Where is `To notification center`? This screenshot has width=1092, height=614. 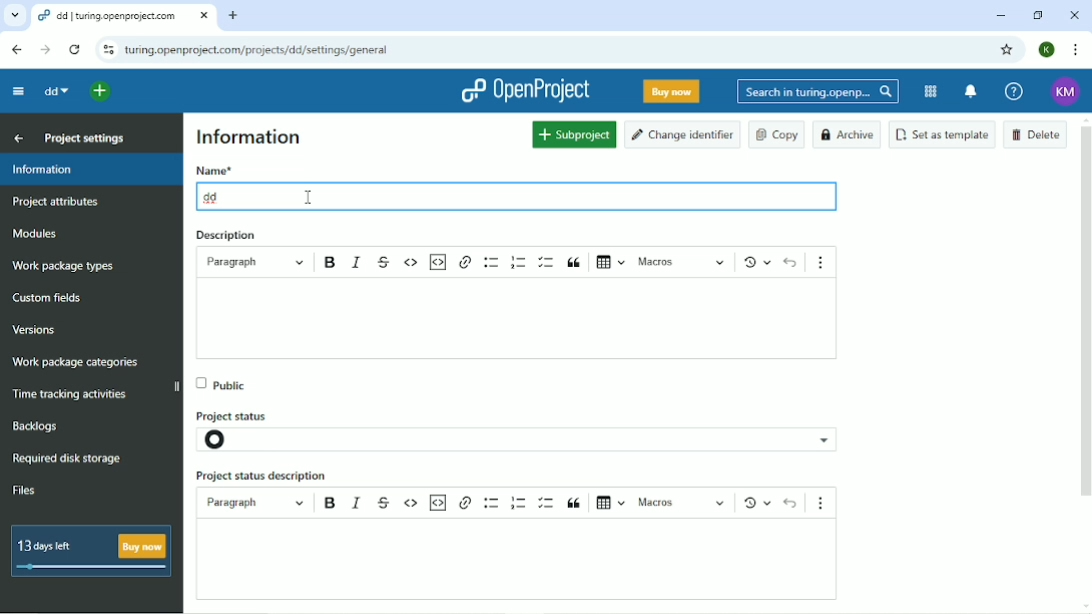
To notification center is located at coordinates (971, 92).